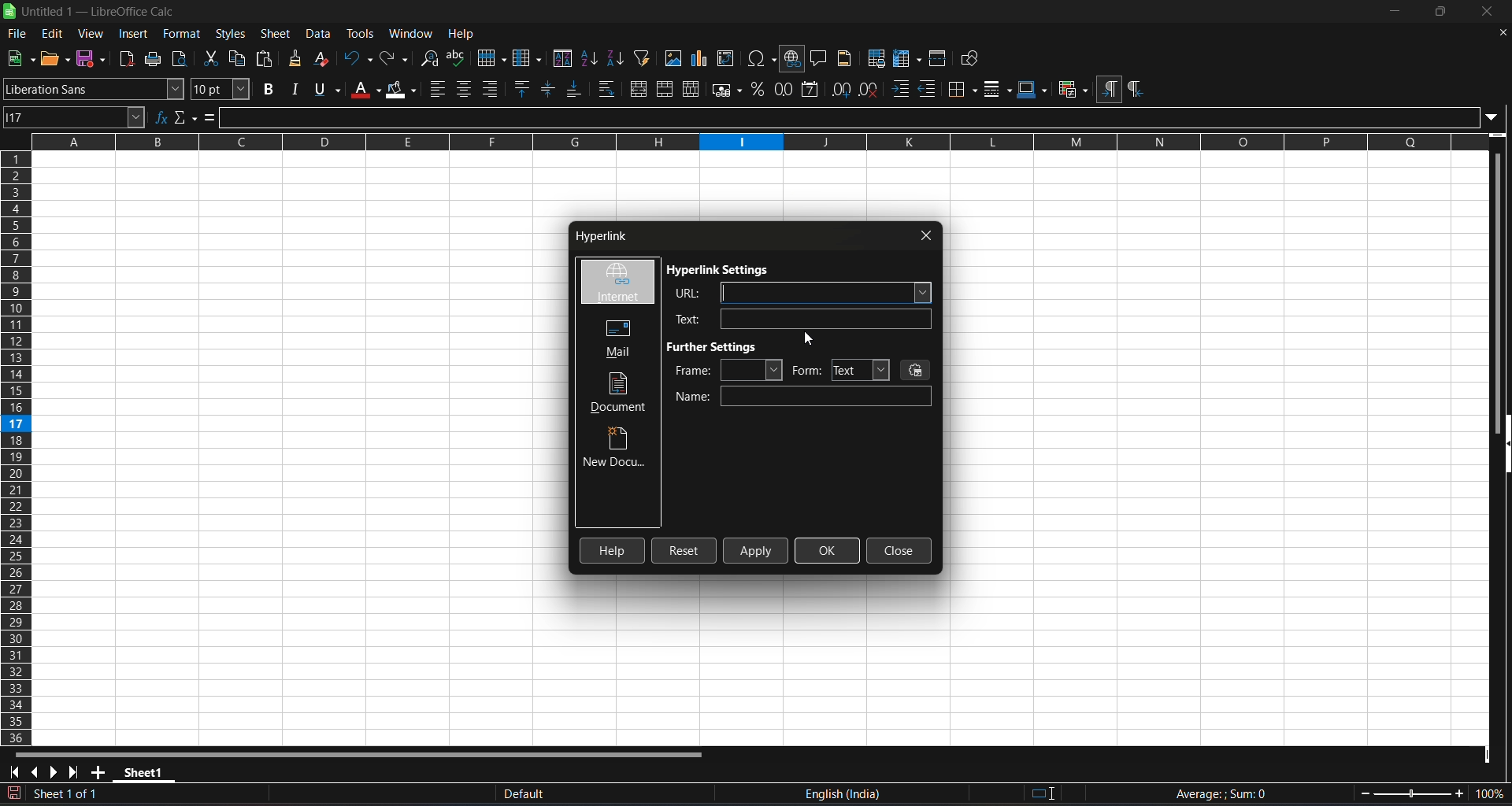  What do you see at coordinates (324, 60) in the screenshot?
I see `clear direct formatting` at bounding box center [324, 60].